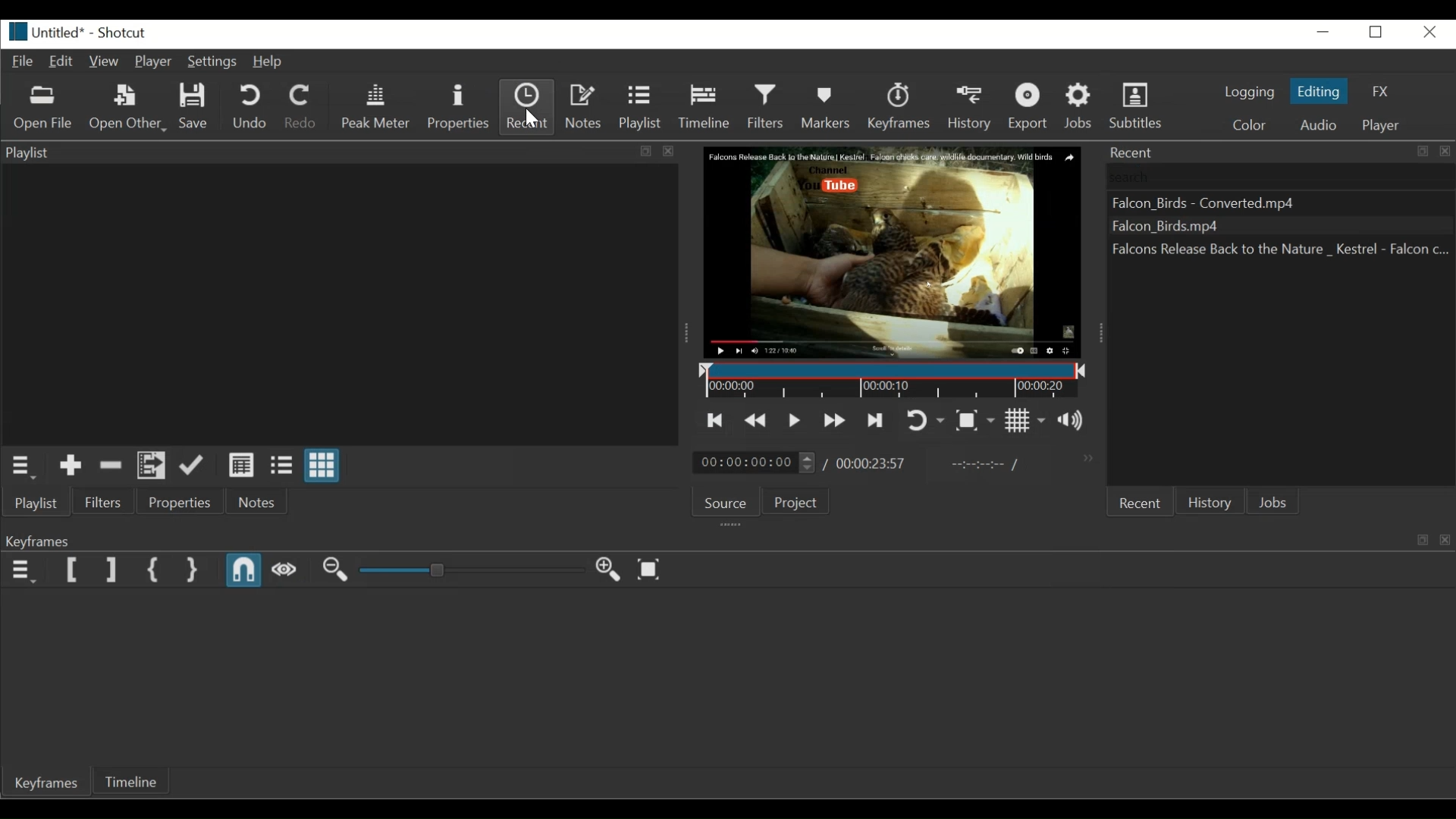 The image size is (1456, 819). Describe the element at coordinates (1026, 421) in the screenshot. I see `Toggle player on grid` at that location.